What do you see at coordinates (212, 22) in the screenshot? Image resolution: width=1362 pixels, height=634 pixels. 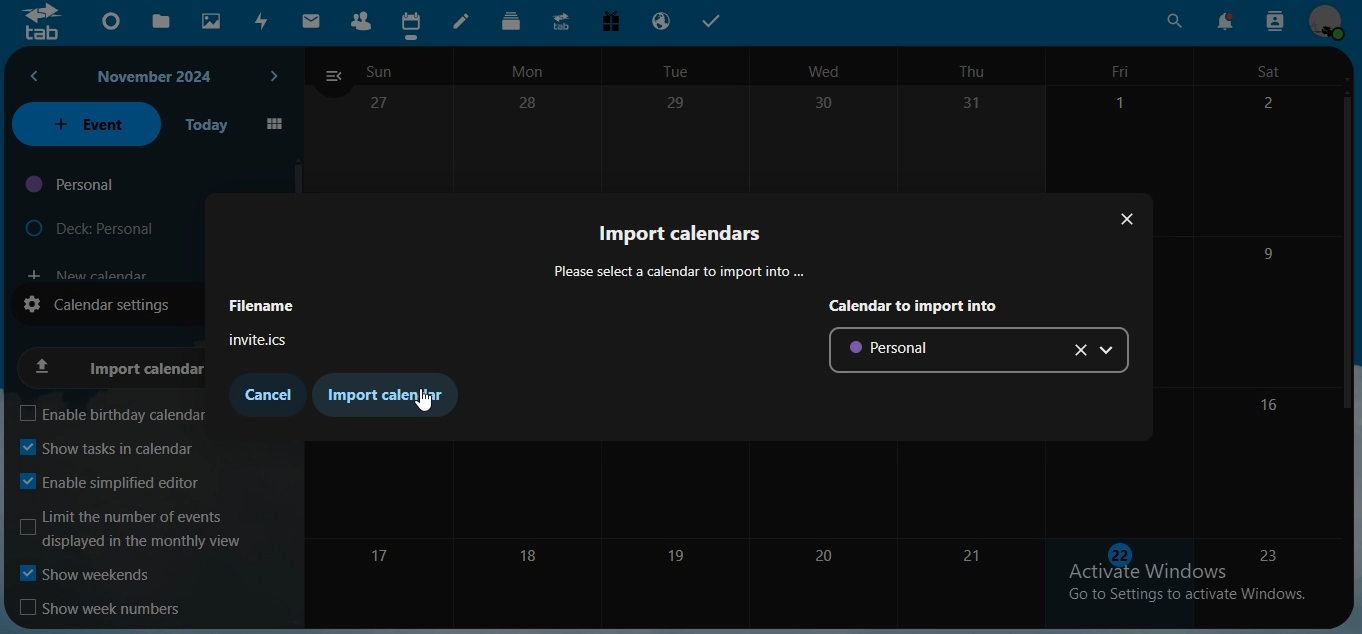 I see `photos` at bounding box center [212, 22].